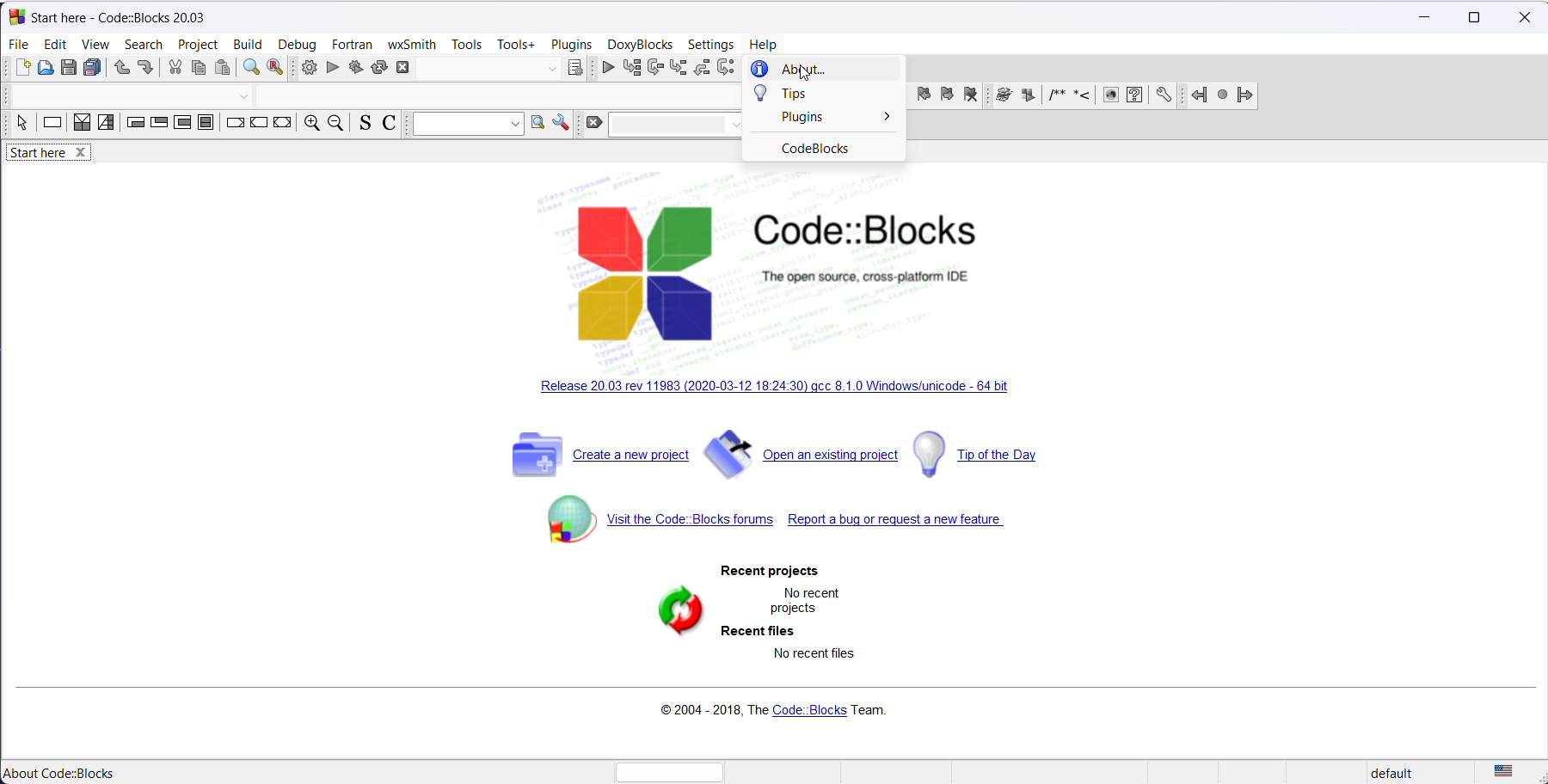  I want to click on comment, so click(1084, 96).